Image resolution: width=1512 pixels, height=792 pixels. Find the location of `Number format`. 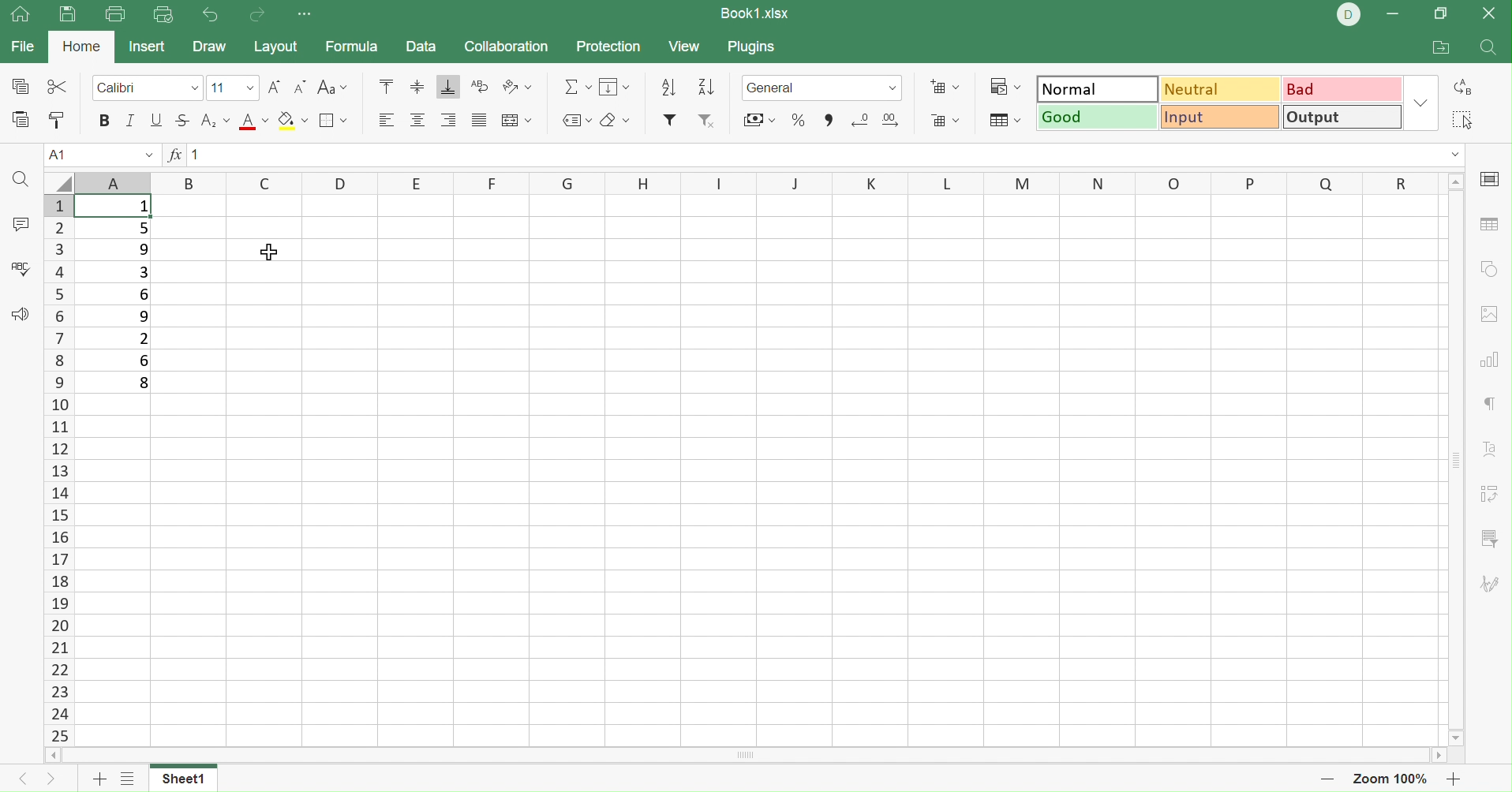

Number format is located at coordinates (807, 87).